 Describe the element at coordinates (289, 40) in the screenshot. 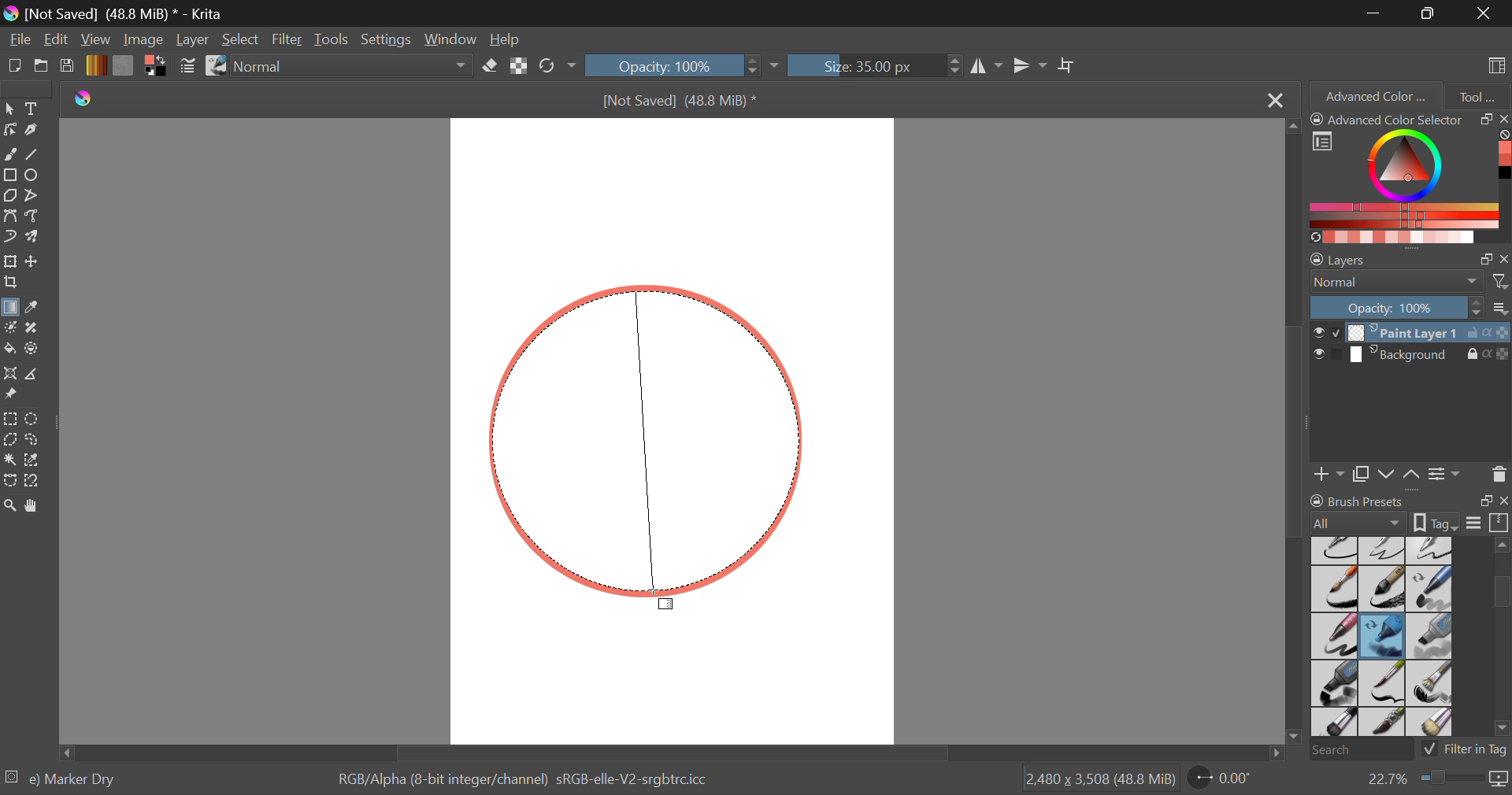

I see `Filter` at that location.